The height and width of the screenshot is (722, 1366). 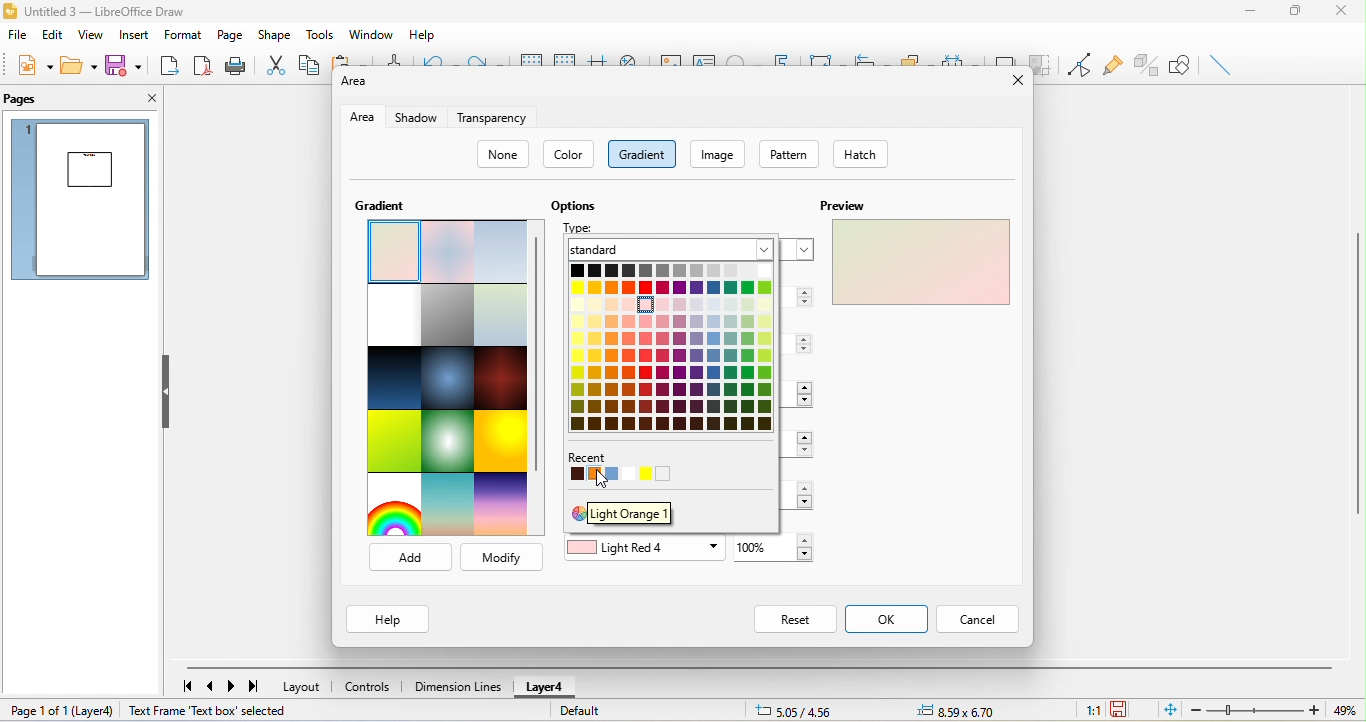 What do you see at coordinates (1130, 711) in the screenshot?
I see `the document has not been modified since the last save` at bounding box center [1130, 711].